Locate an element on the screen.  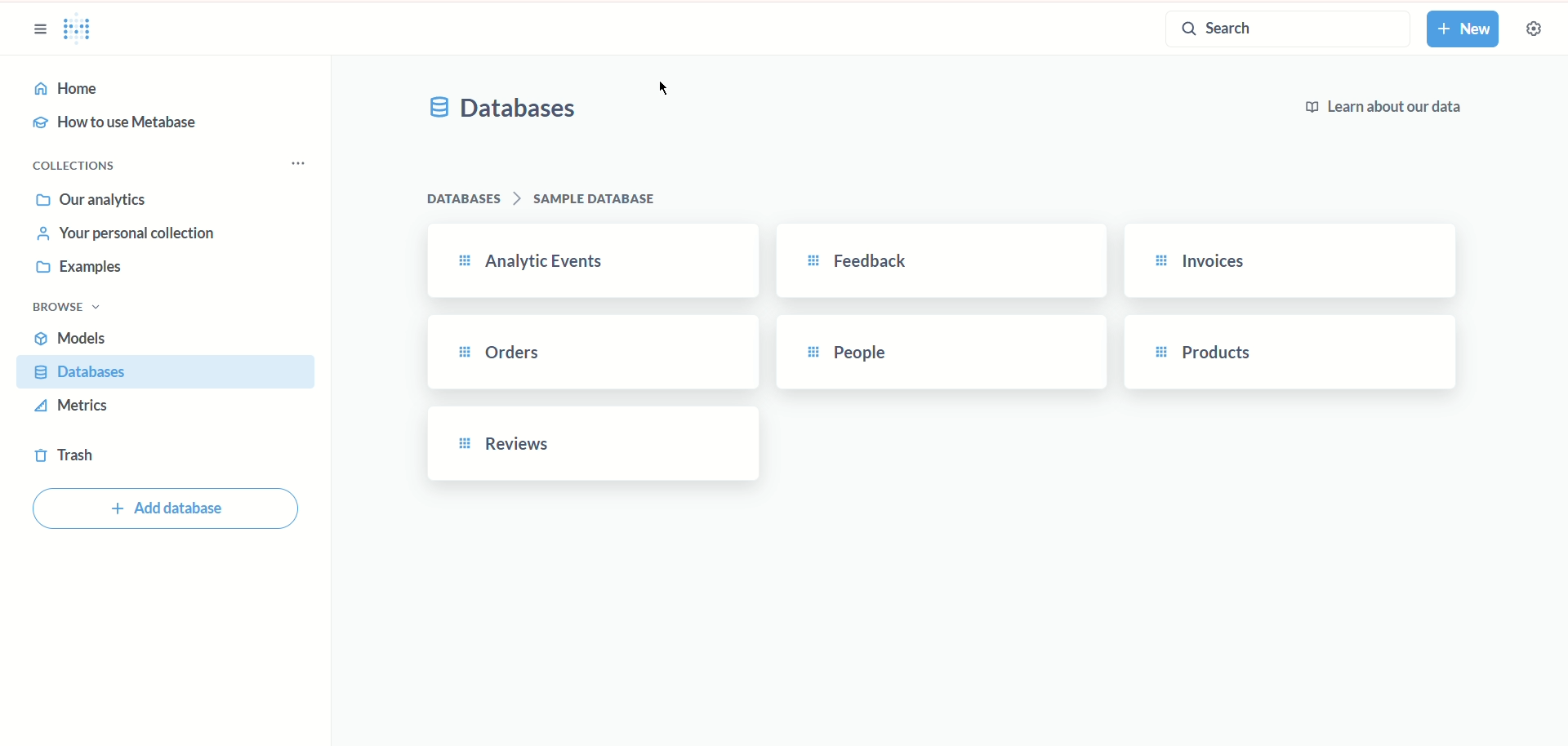
orders is located at coordinates (586, 353).